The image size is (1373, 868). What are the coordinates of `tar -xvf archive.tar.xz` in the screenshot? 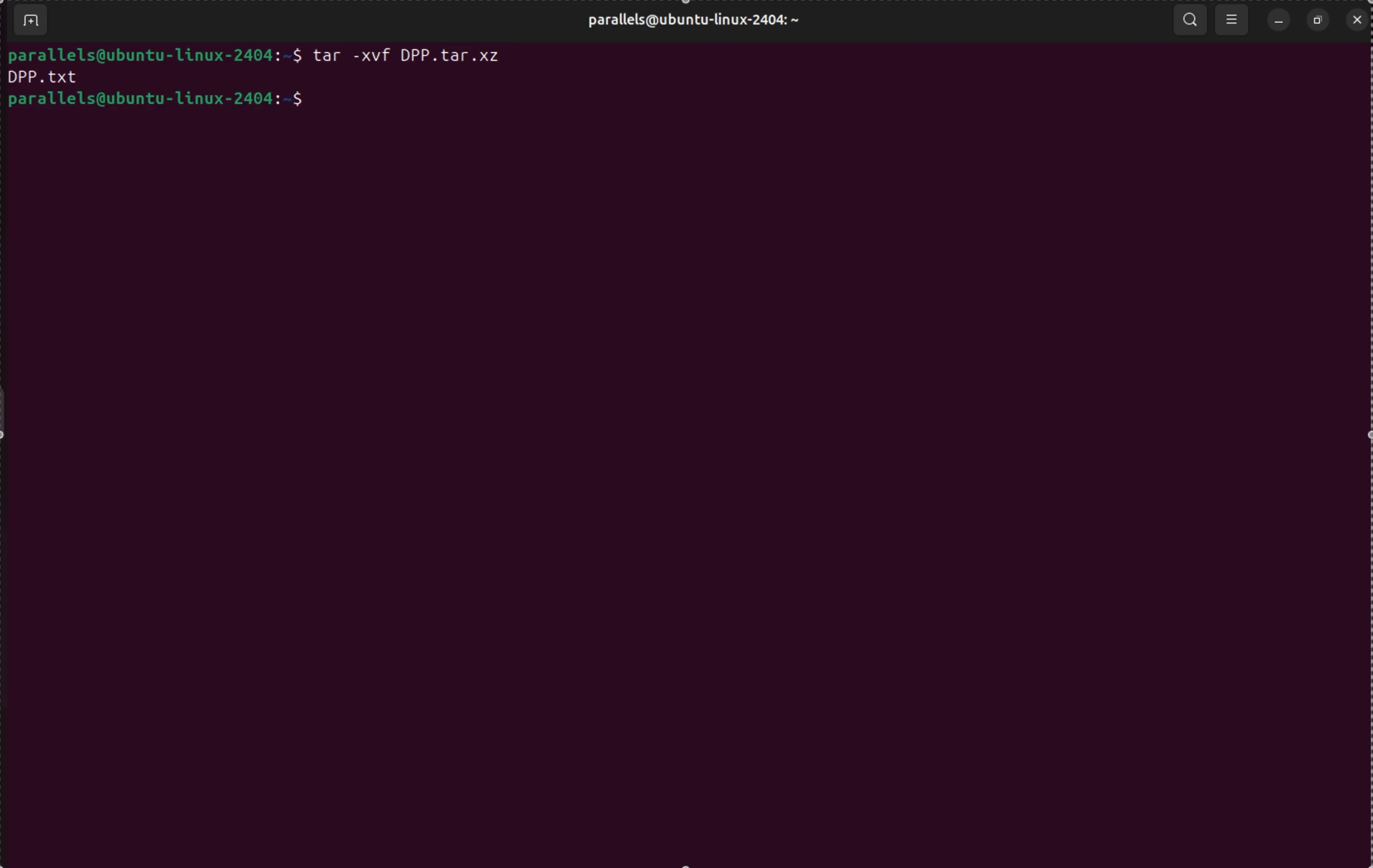 It's located at (408, 57).